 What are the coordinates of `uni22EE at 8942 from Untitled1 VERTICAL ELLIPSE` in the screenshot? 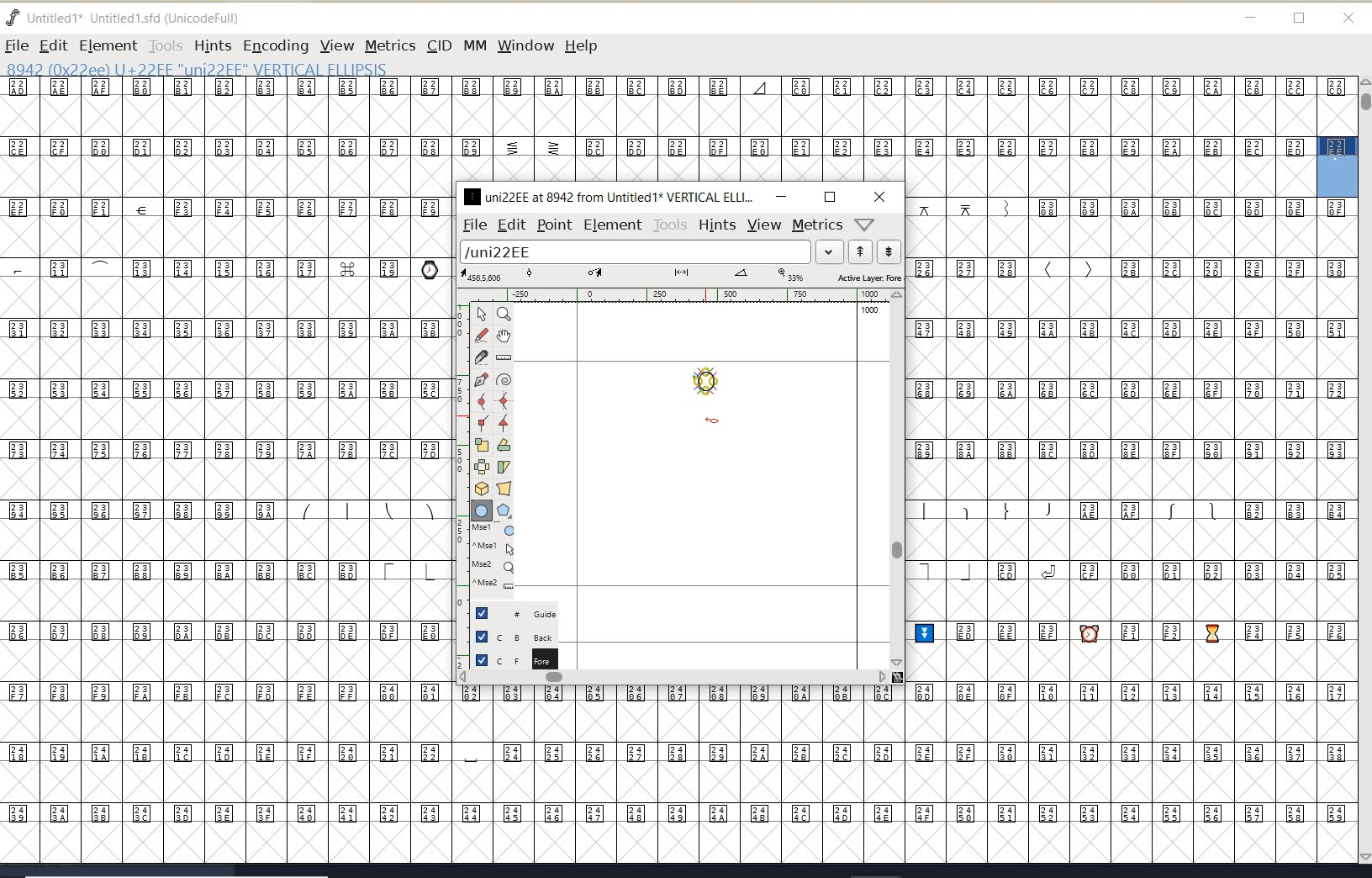 It's located at (609, 196).